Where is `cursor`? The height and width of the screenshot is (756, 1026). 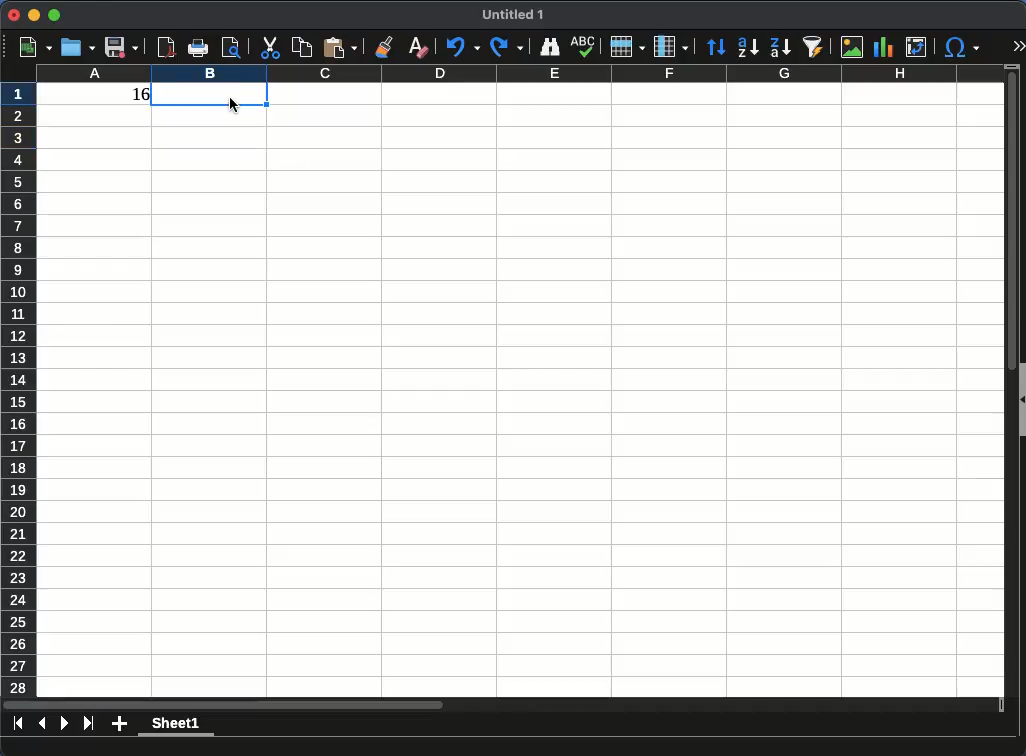 cursor is located at coordinates (234, 106).